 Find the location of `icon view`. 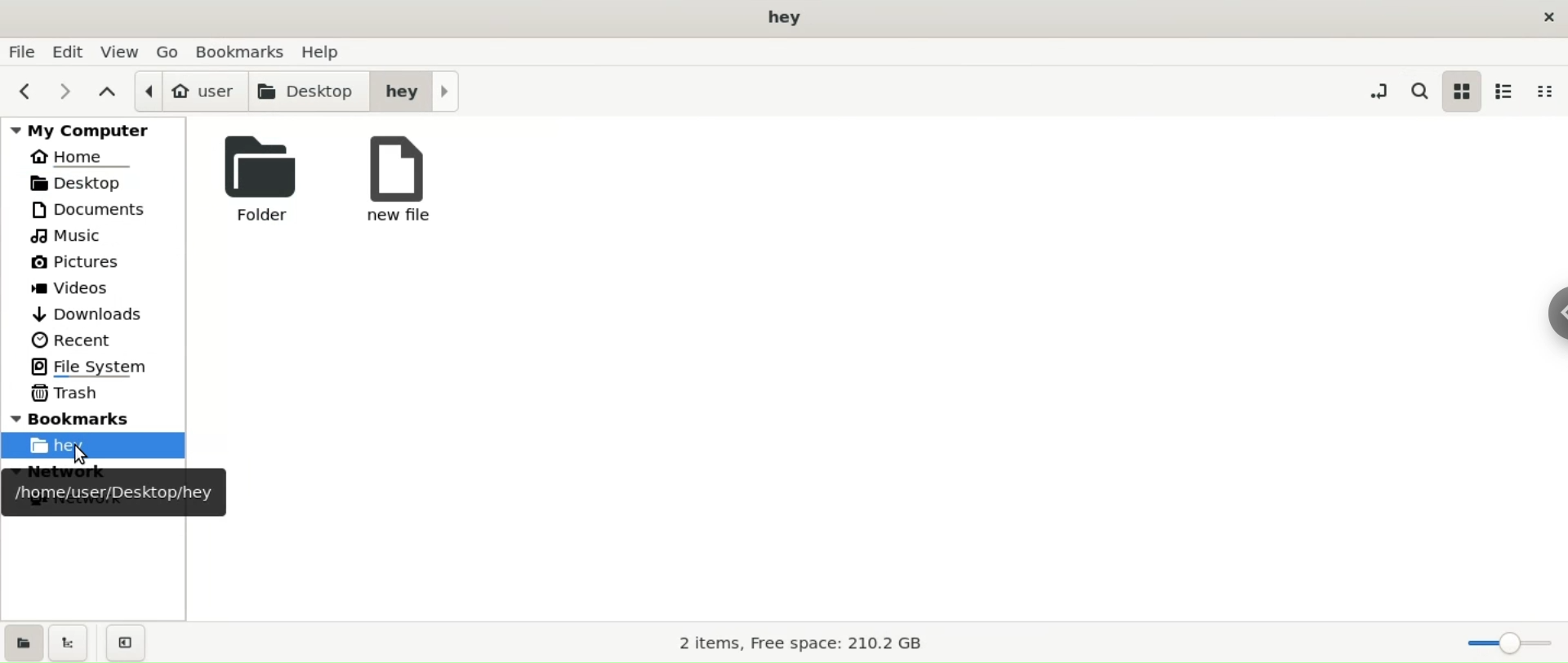

icon view is located at coordinates (1463, 91).